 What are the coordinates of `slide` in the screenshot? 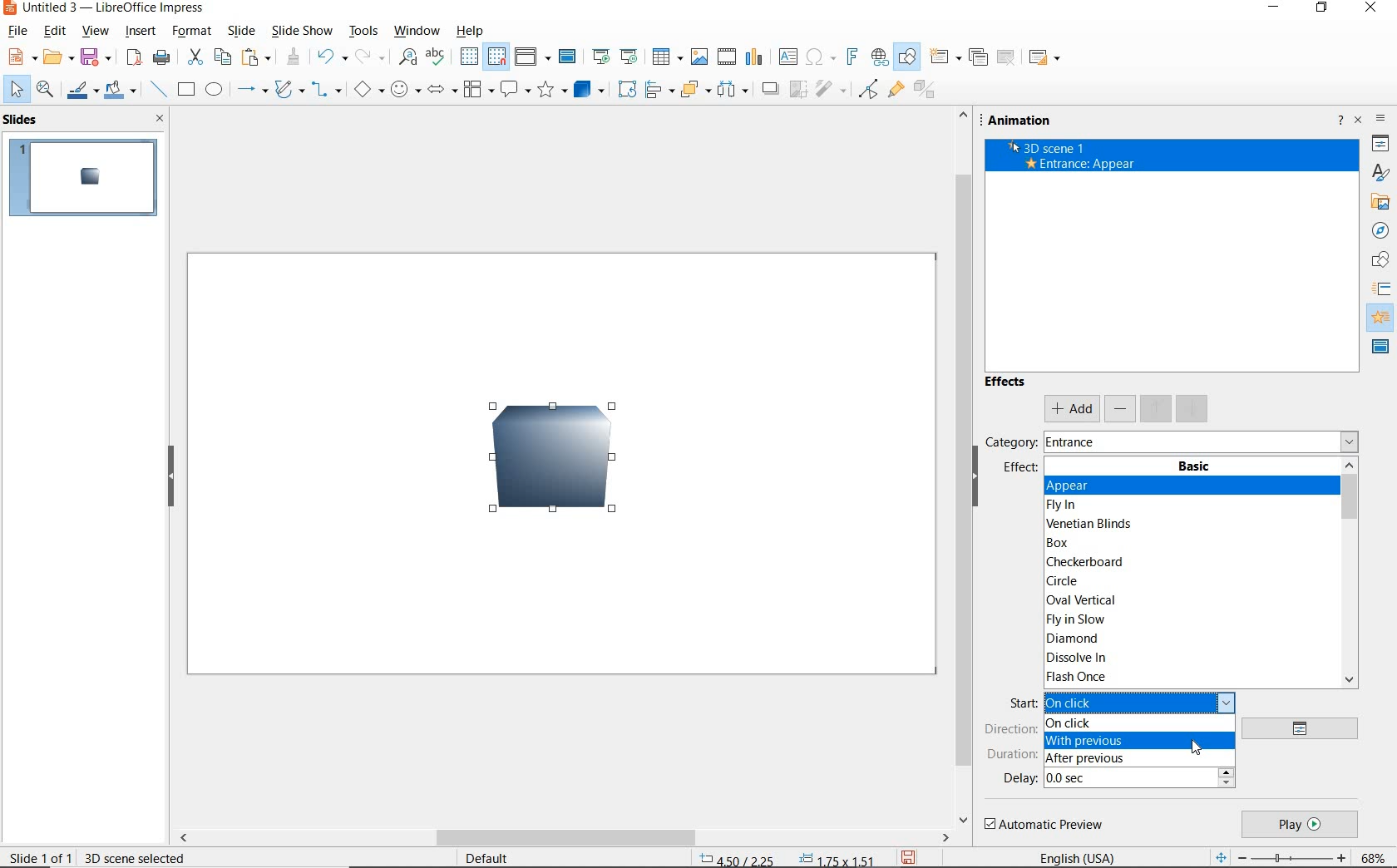 It's located at (240, 31).